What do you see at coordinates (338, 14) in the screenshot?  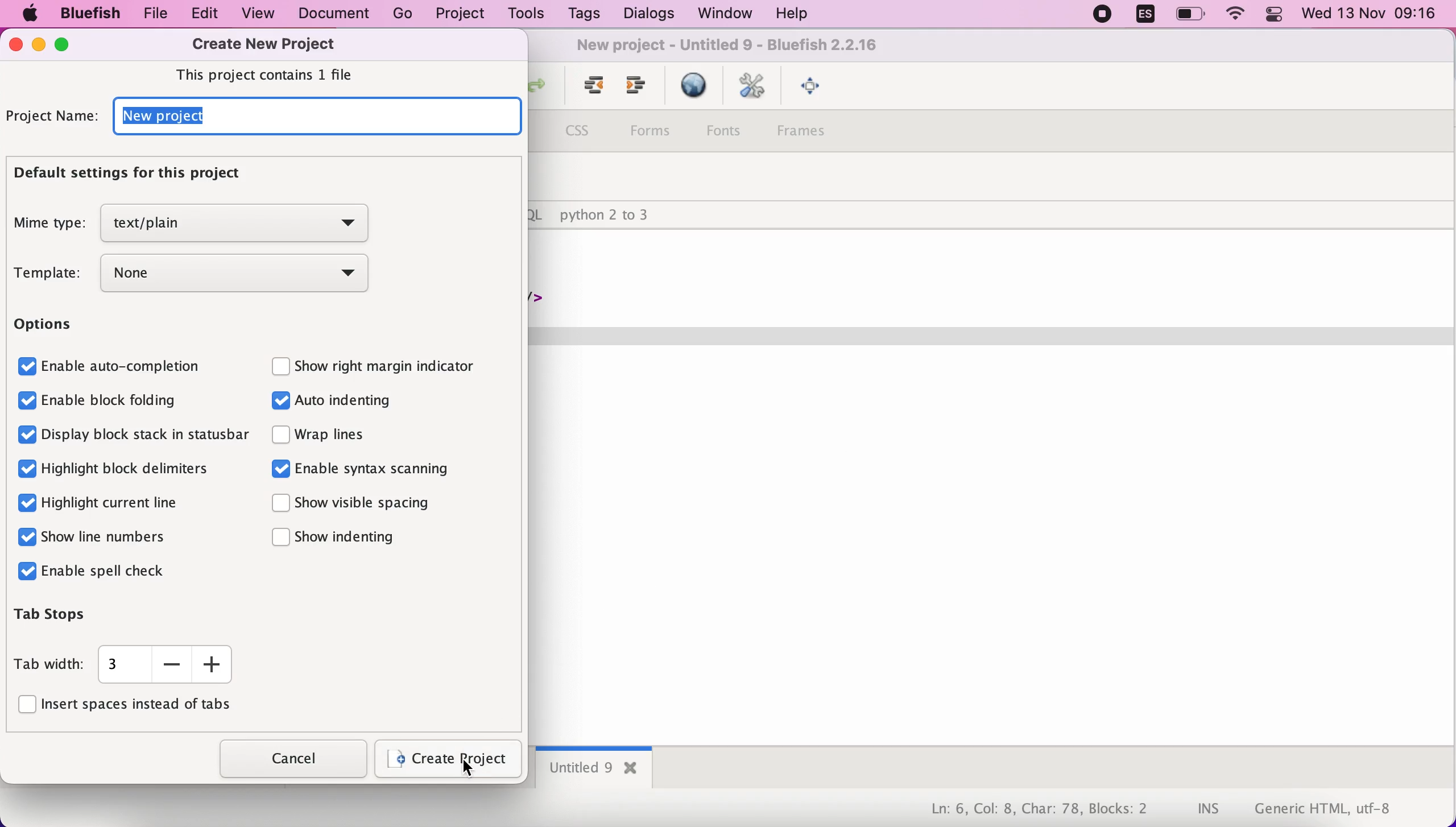 I see `document` at bounding box center [338, 14].